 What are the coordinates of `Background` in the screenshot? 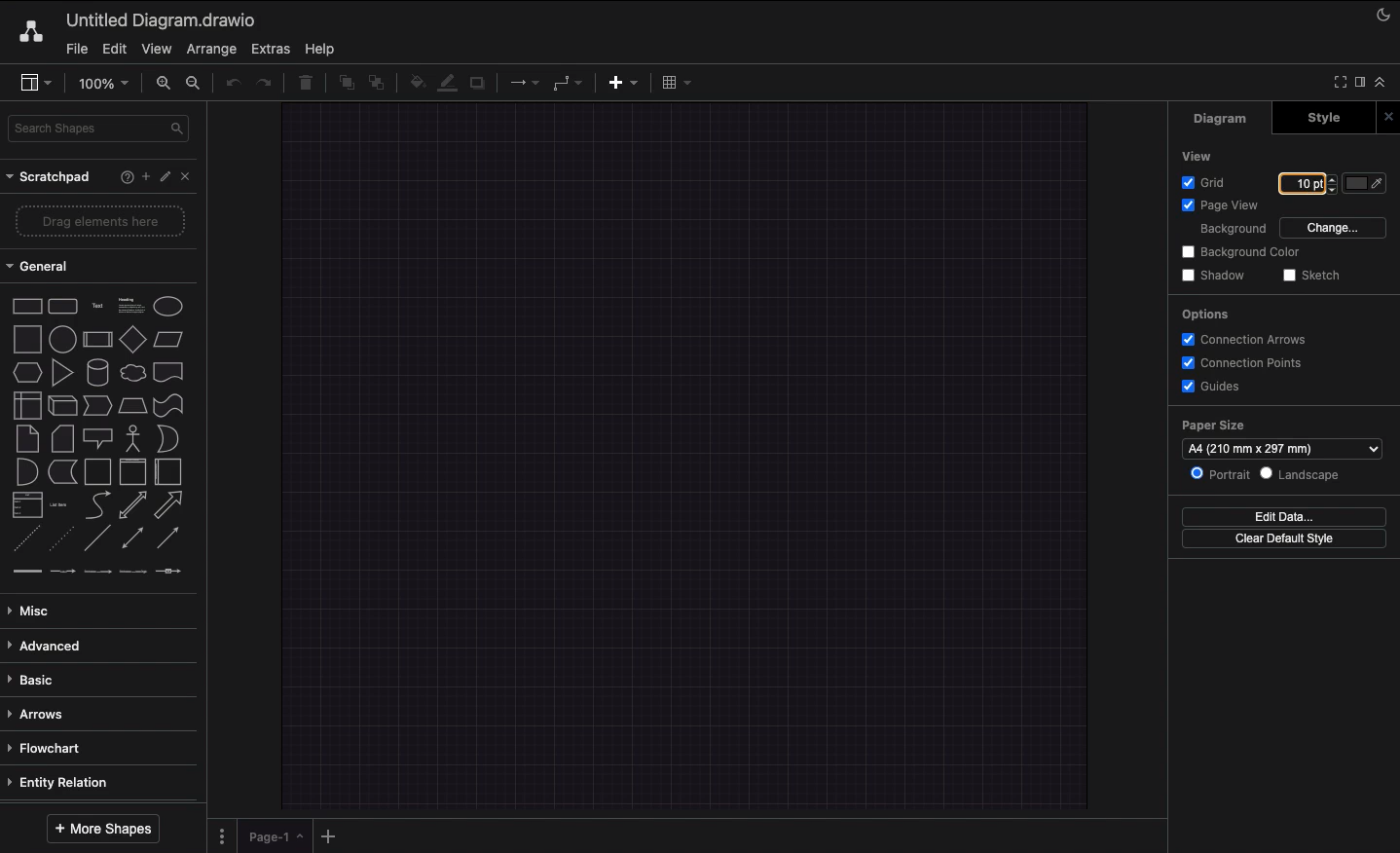 It's located at (1231, 230).